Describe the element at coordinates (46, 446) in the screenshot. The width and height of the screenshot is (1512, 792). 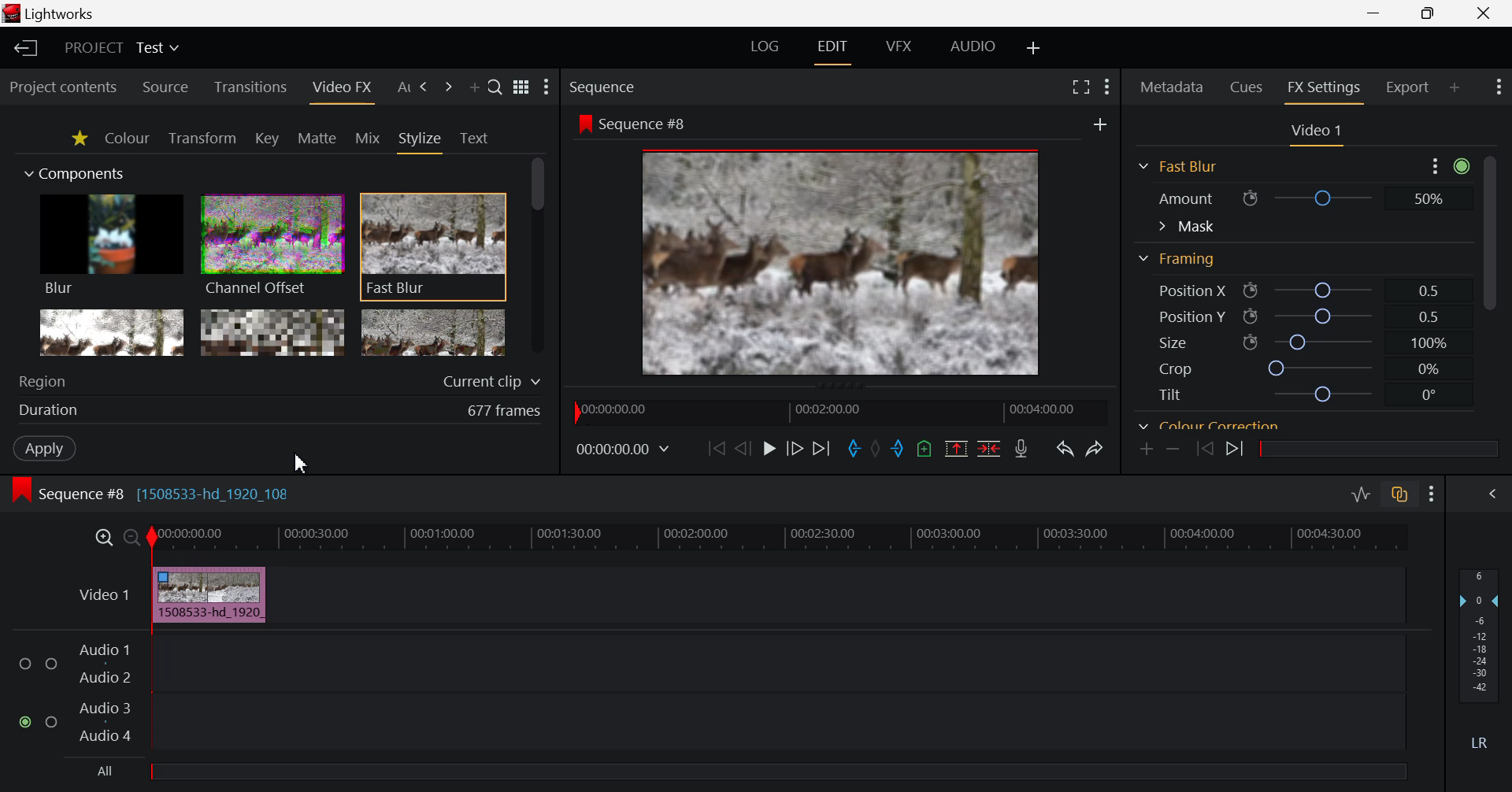
I see `Apply` at that location.